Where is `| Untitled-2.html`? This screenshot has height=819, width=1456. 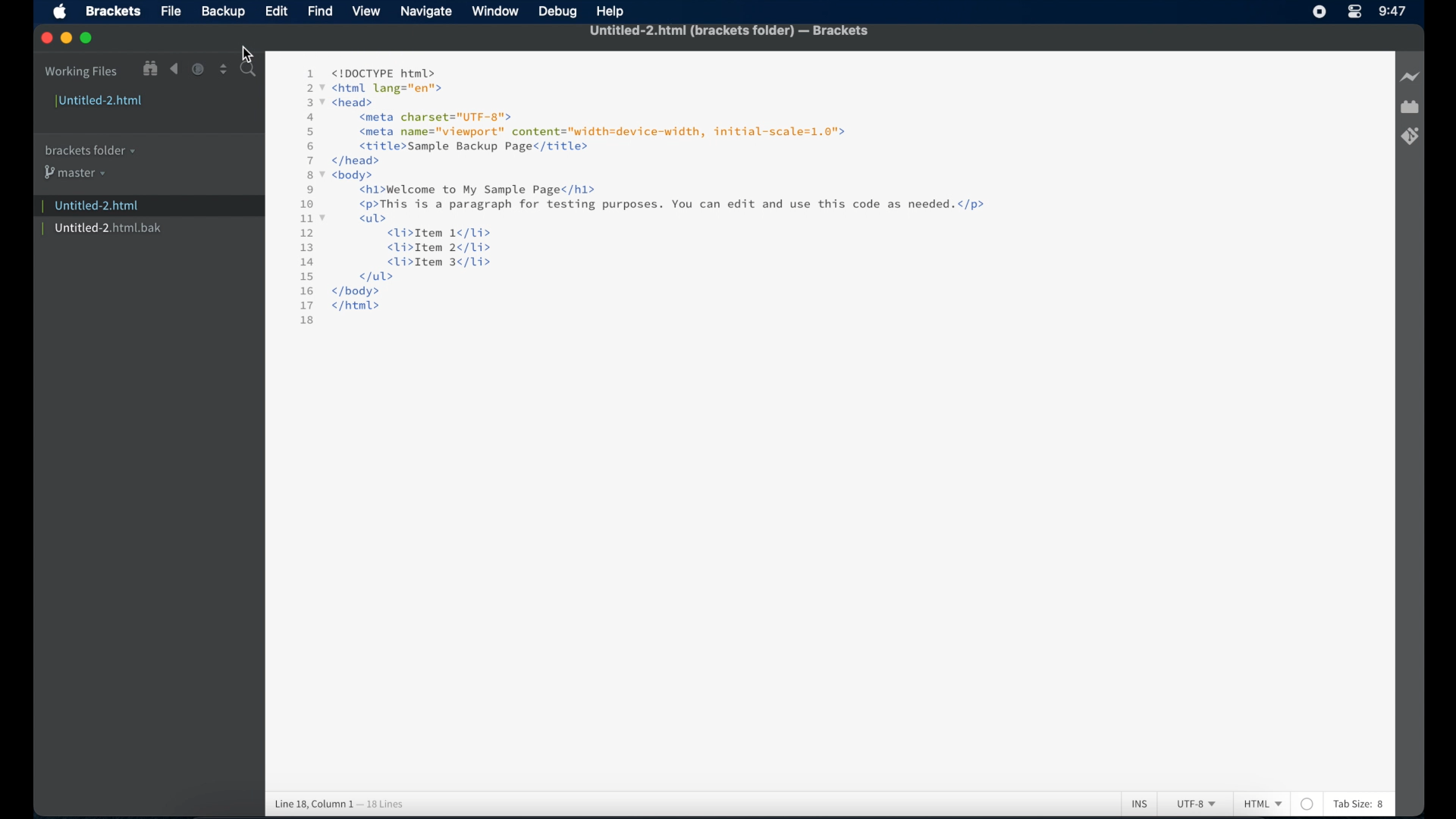 | Untitled-2.html is located at coordinates (93, 203).